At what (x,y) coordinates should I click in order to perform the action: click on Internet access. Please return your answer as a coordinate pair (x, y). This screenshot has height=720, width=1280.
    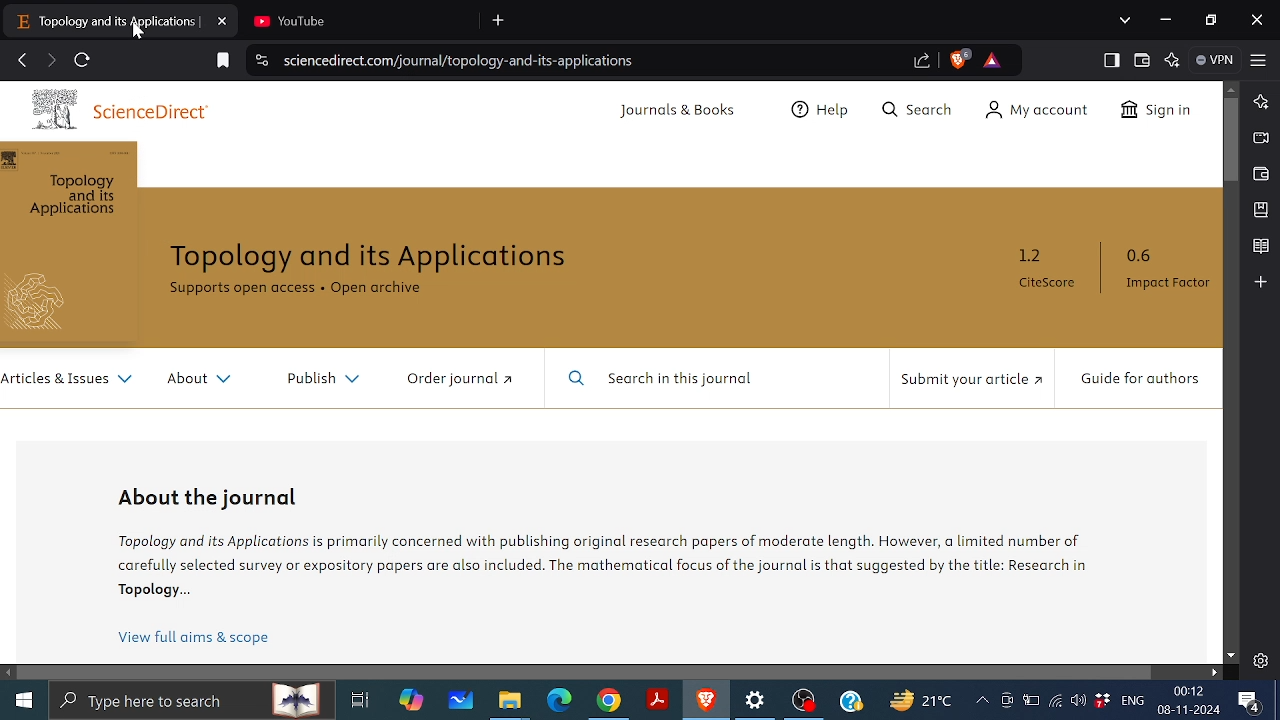
    Looking at the image, I should click on (1054, 700).